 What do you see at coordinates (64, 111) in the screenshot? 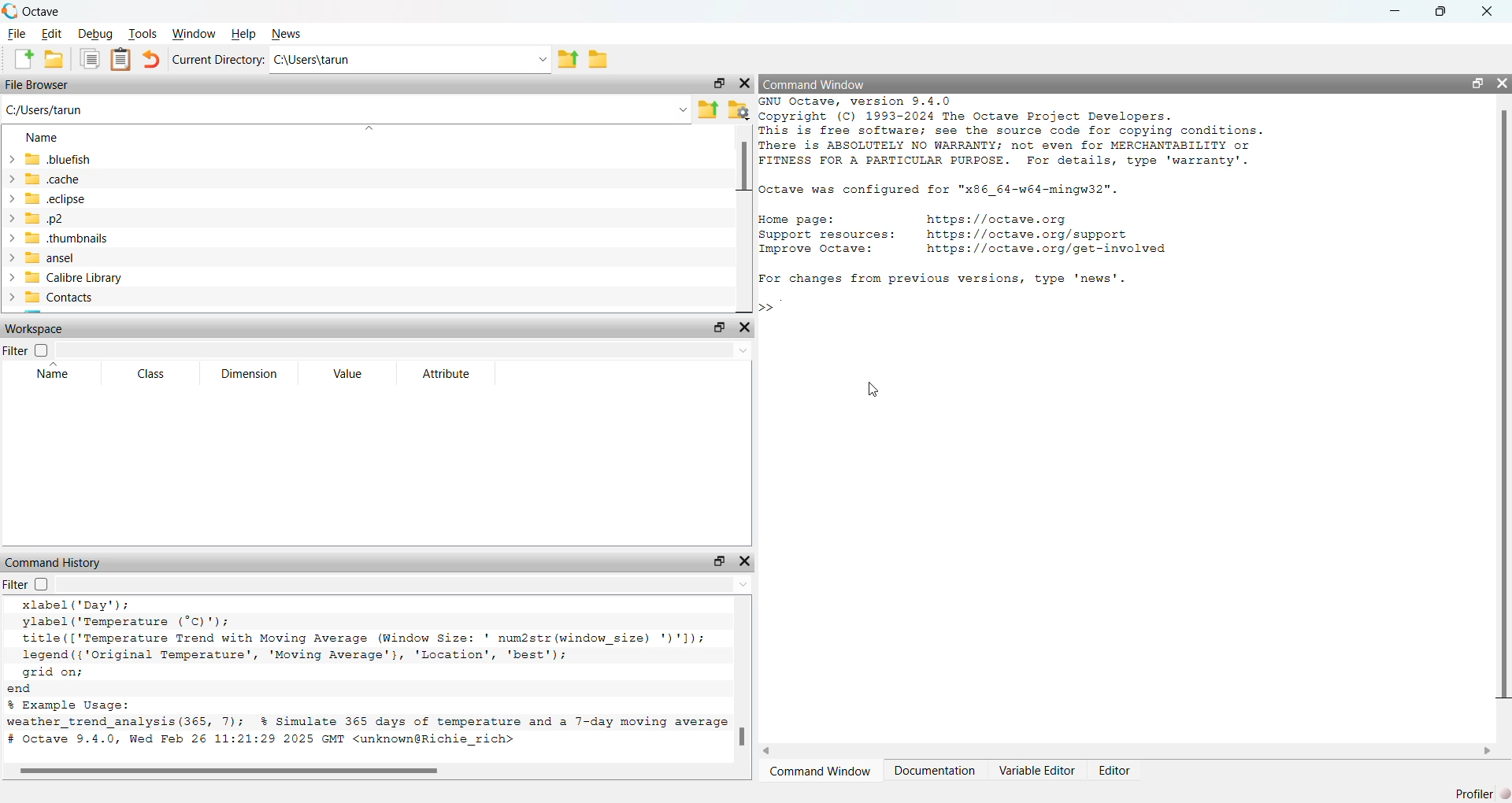
I see `C:/Users/tarun` at bounding box center [64, 111].